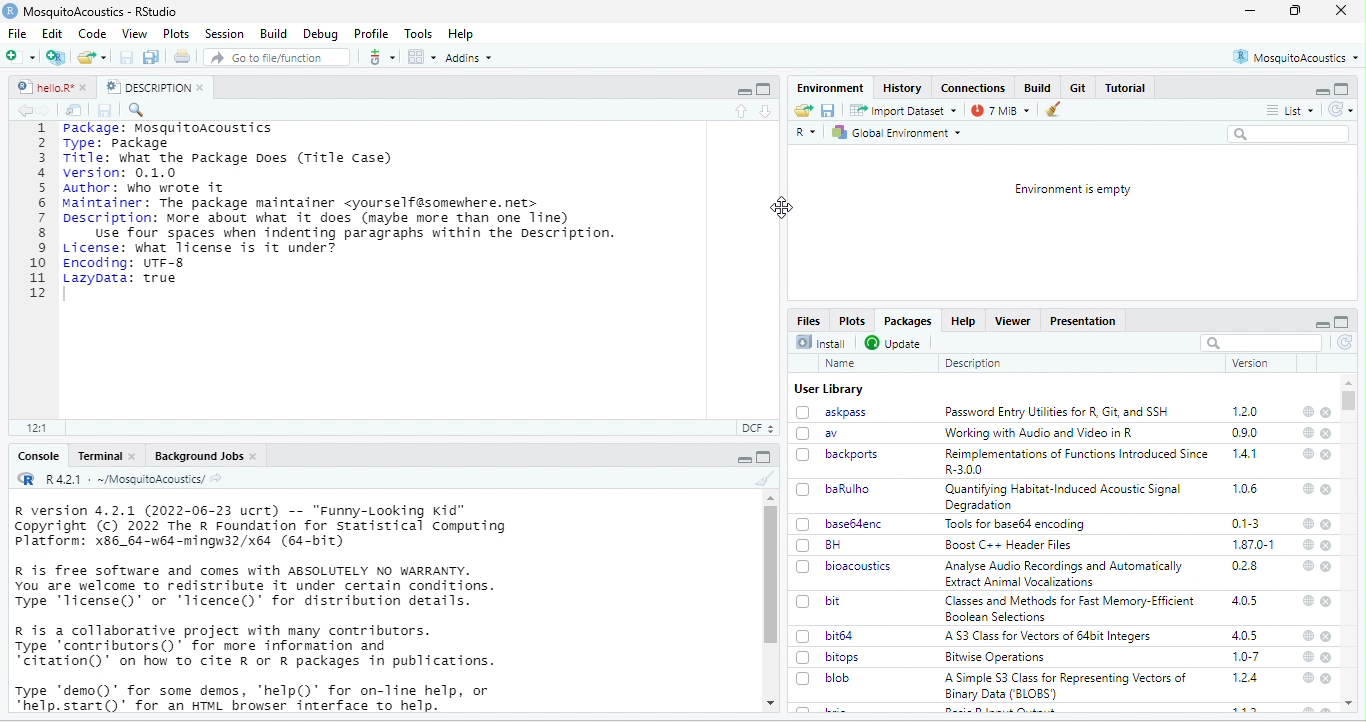 The width and height of the screenshot is (1366, 722). I want to click on 1.87.0-1, so click(1255, 544).